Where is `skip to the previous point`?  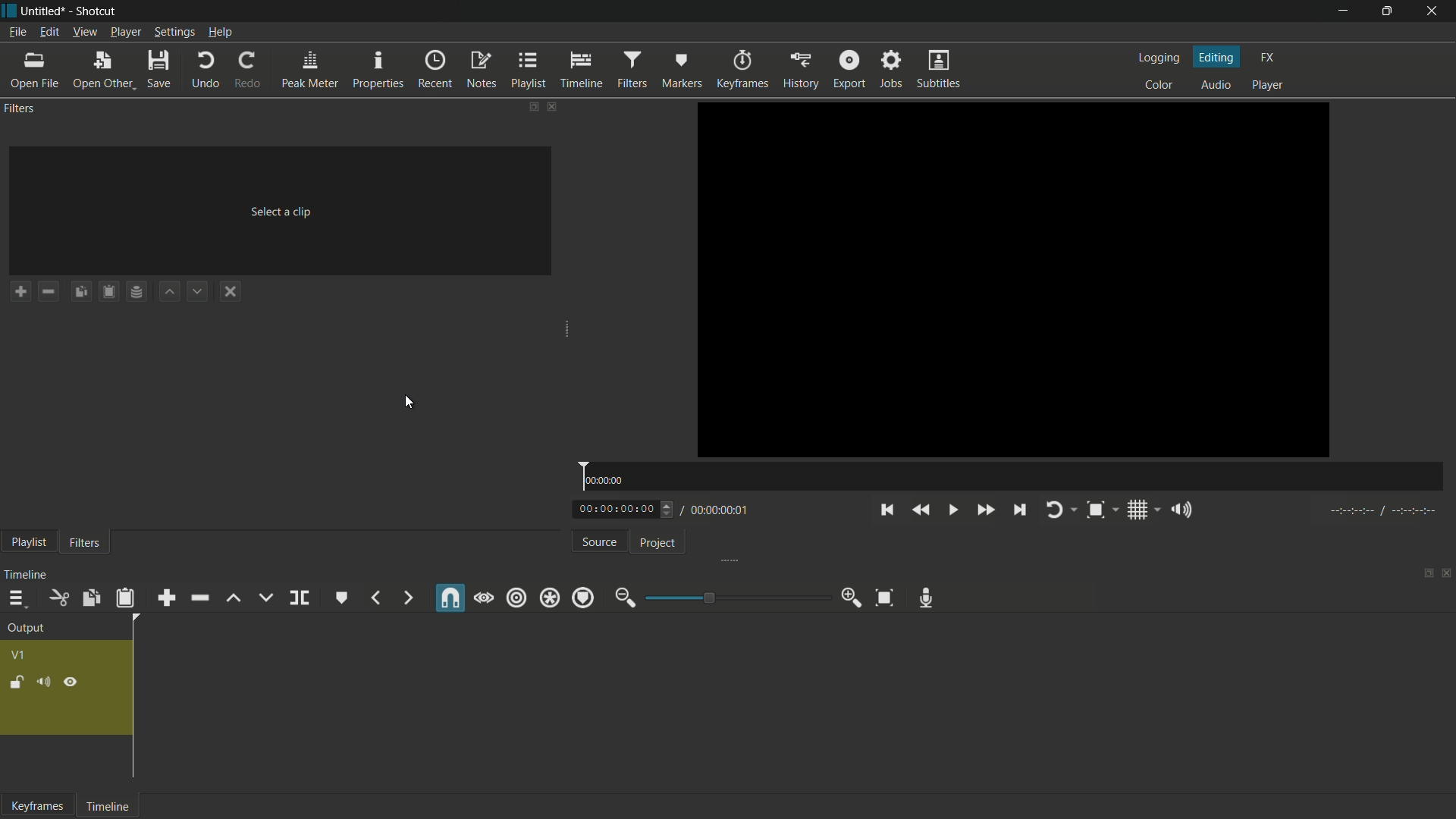
skip to the previous point is located at coordinates (886, 510).